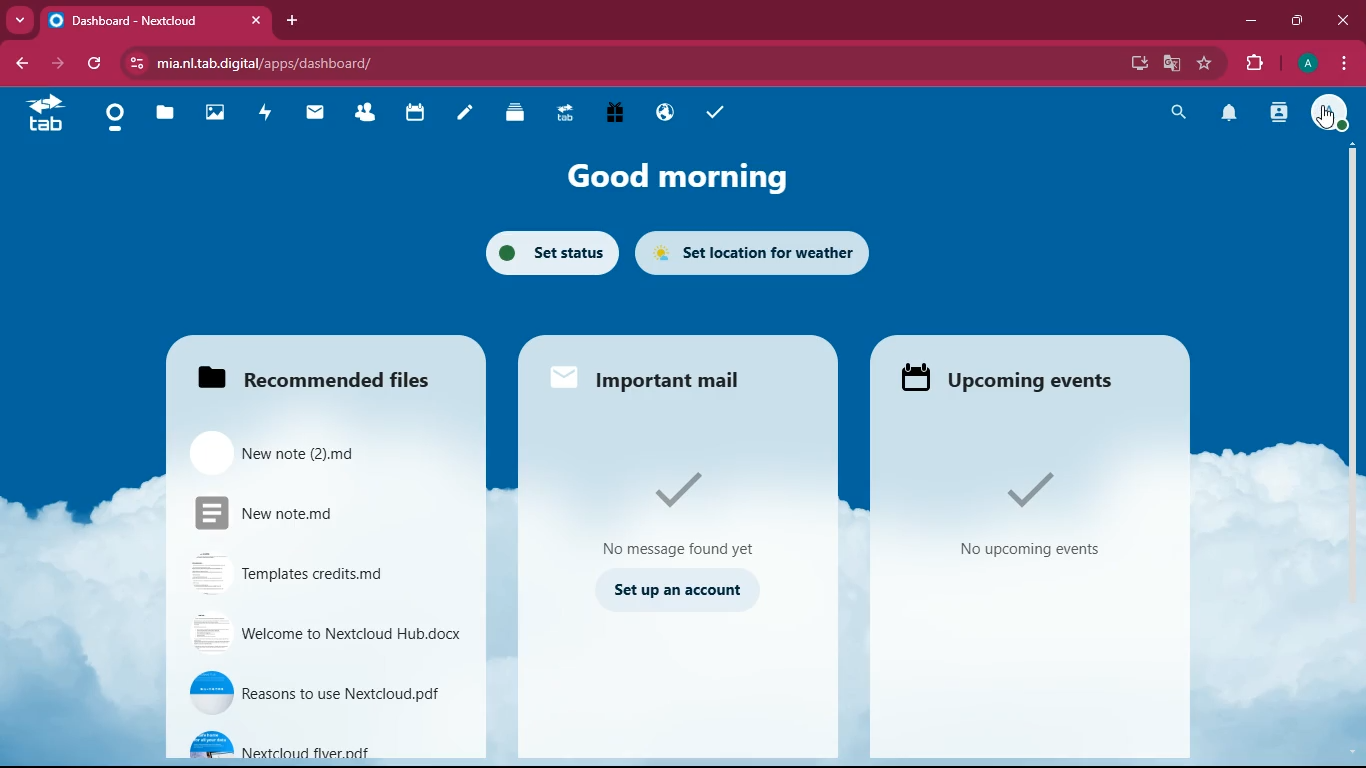 Image resolution: width=1366 pixels, height=768 pixels. What do you see at coordinates (547, 253) in the screenshot?
I see `set status` at bounding box center [547, 253].